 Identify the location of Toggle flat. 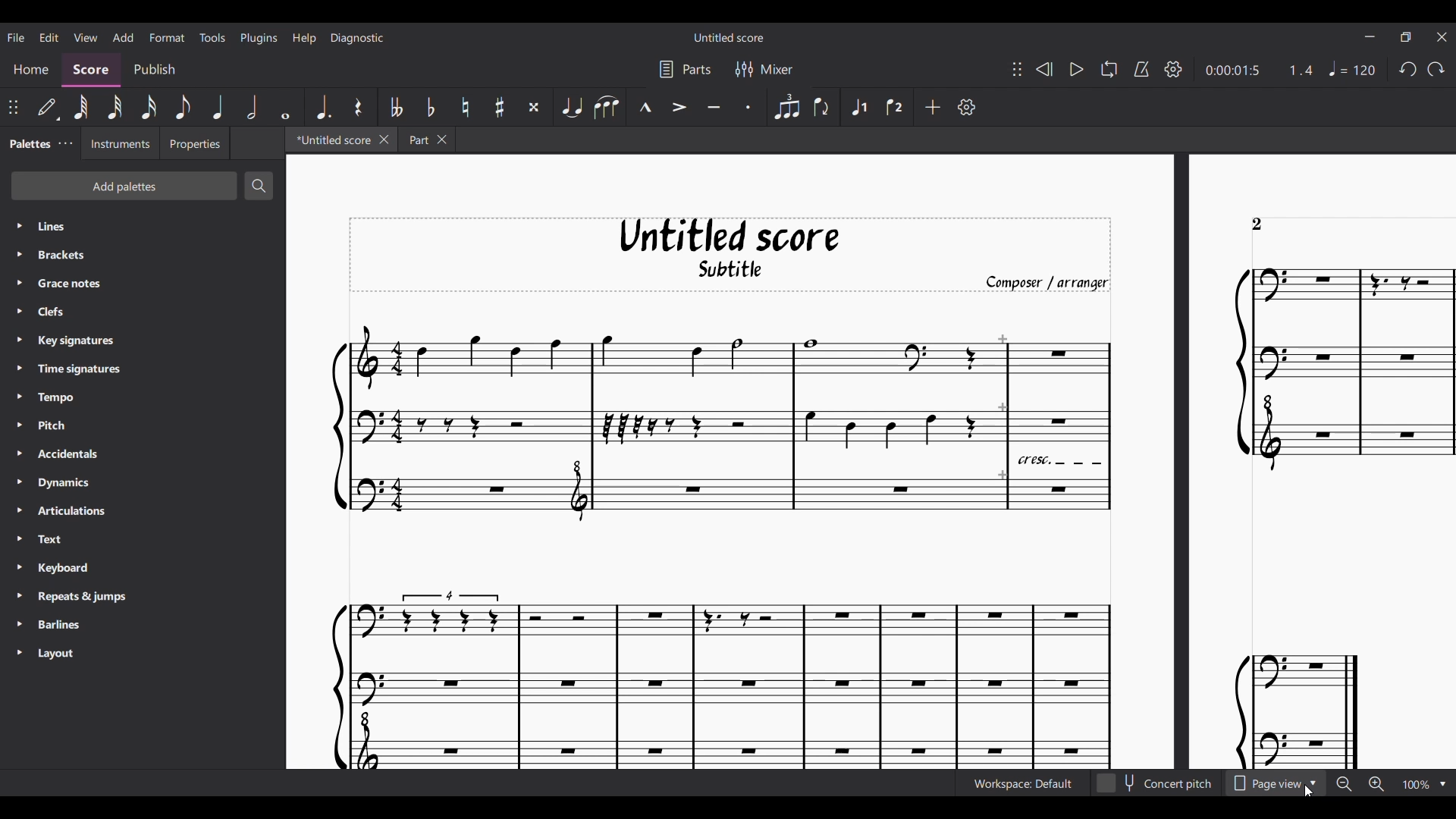
(430, 106).